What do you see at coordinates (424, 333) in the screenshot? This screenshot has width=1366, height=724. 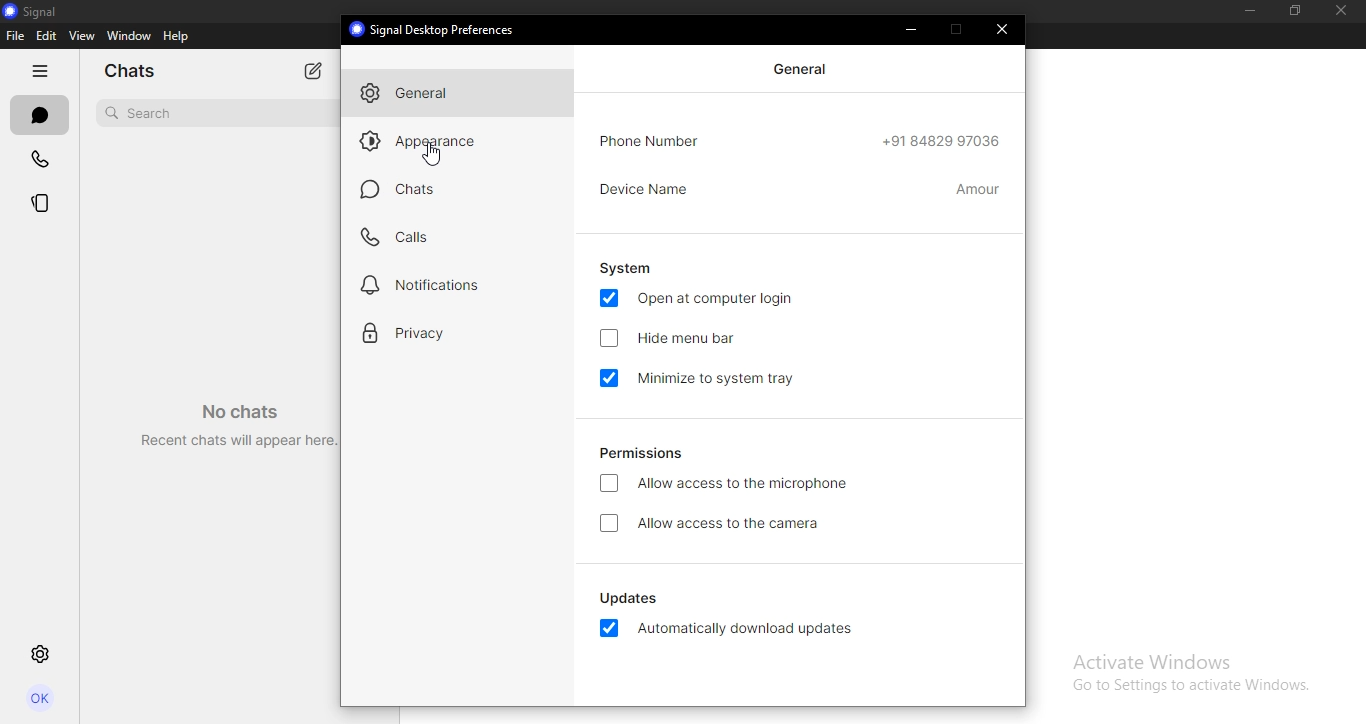 I see `privacy` at bounding box center [424, 333].